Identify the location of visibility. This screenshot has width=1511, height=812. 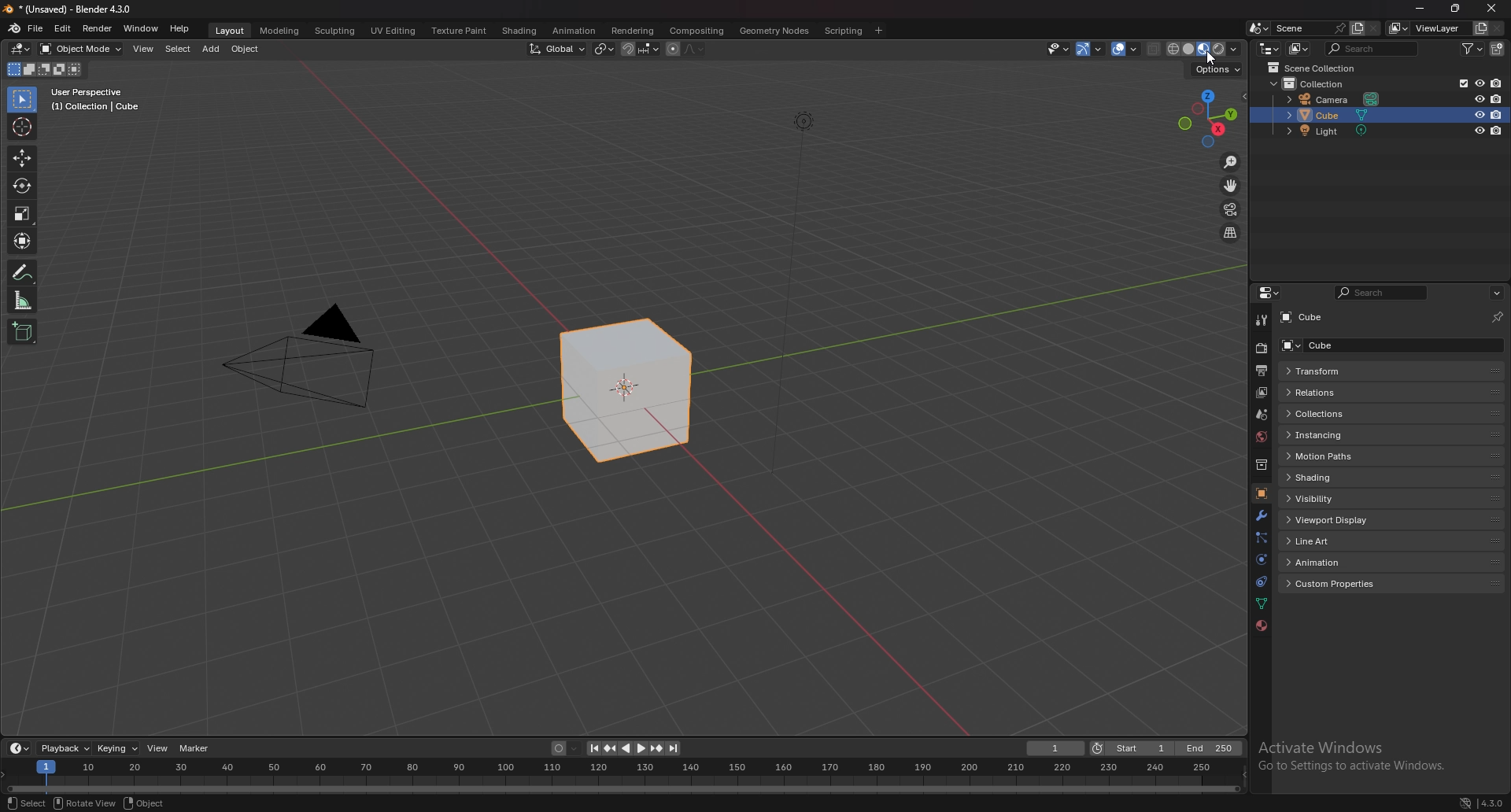
(1339, 500).